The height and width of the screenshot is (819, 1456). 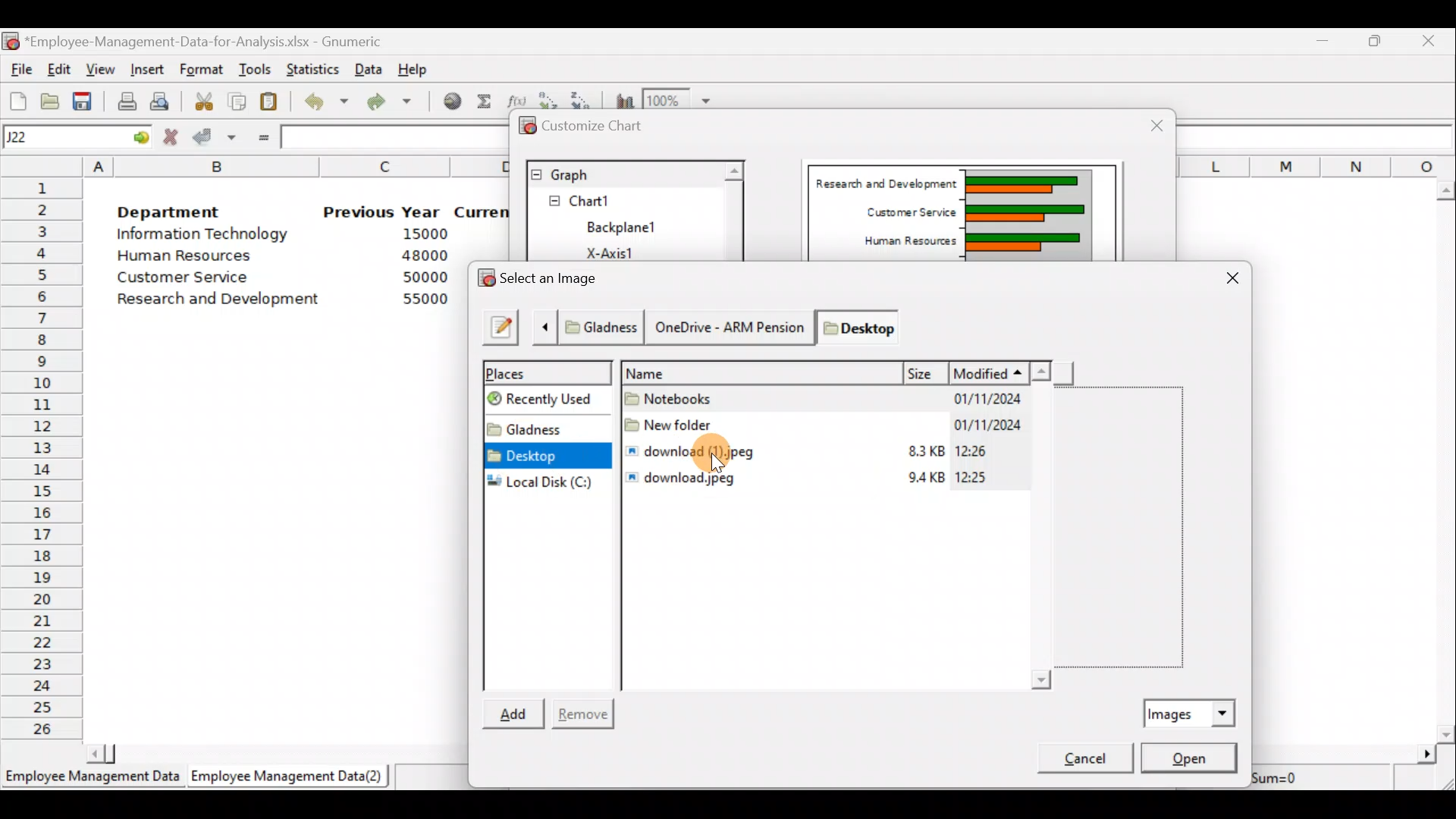 What do you see at coordinates (1432, 40) in the screenshot?
I see `Close` at bounding box center [1432, 40].